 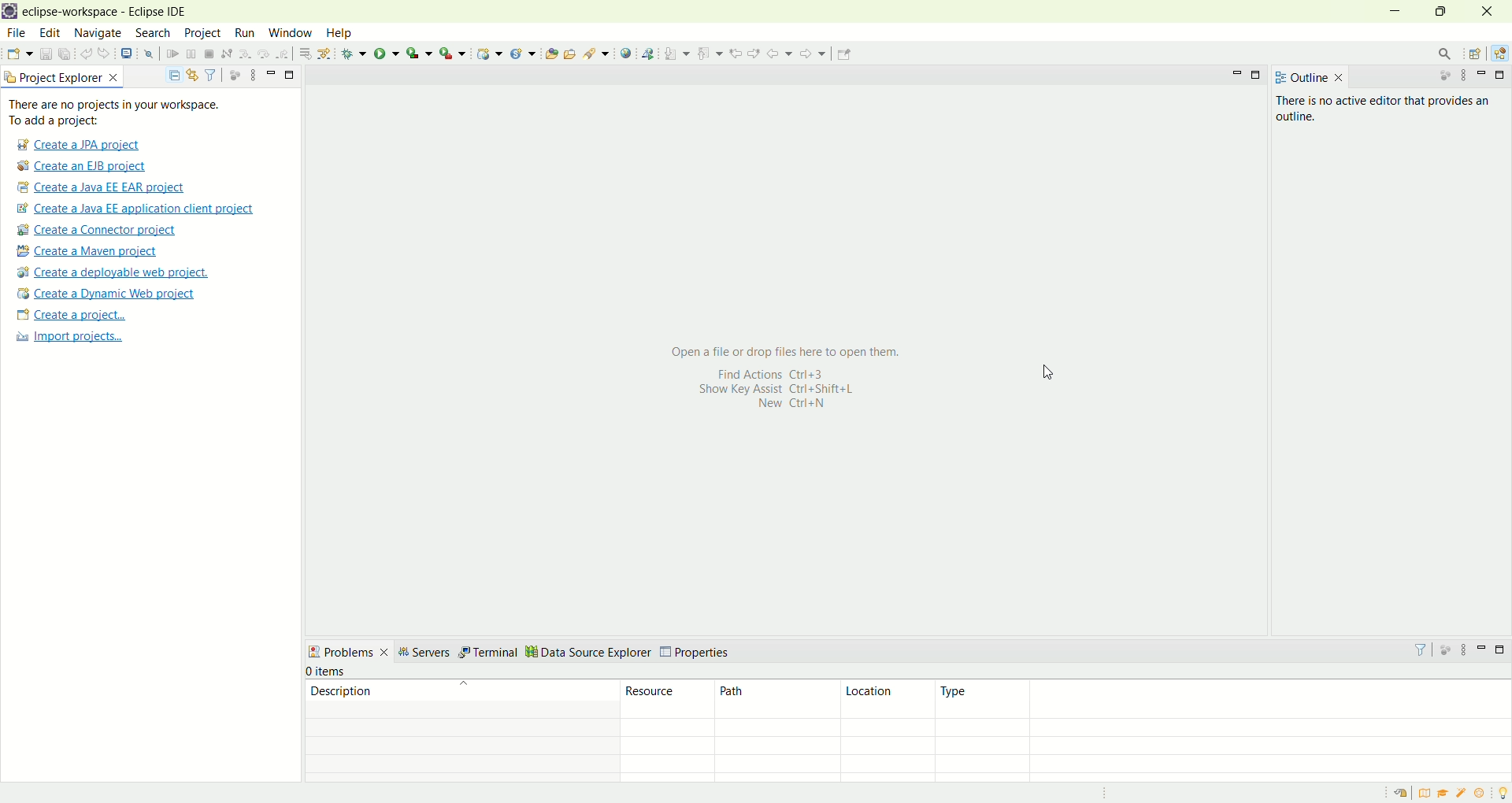 What do you see at coordinates (1224, 698) in the screenshot?
I see `type` at bounding box center [1224, 698].